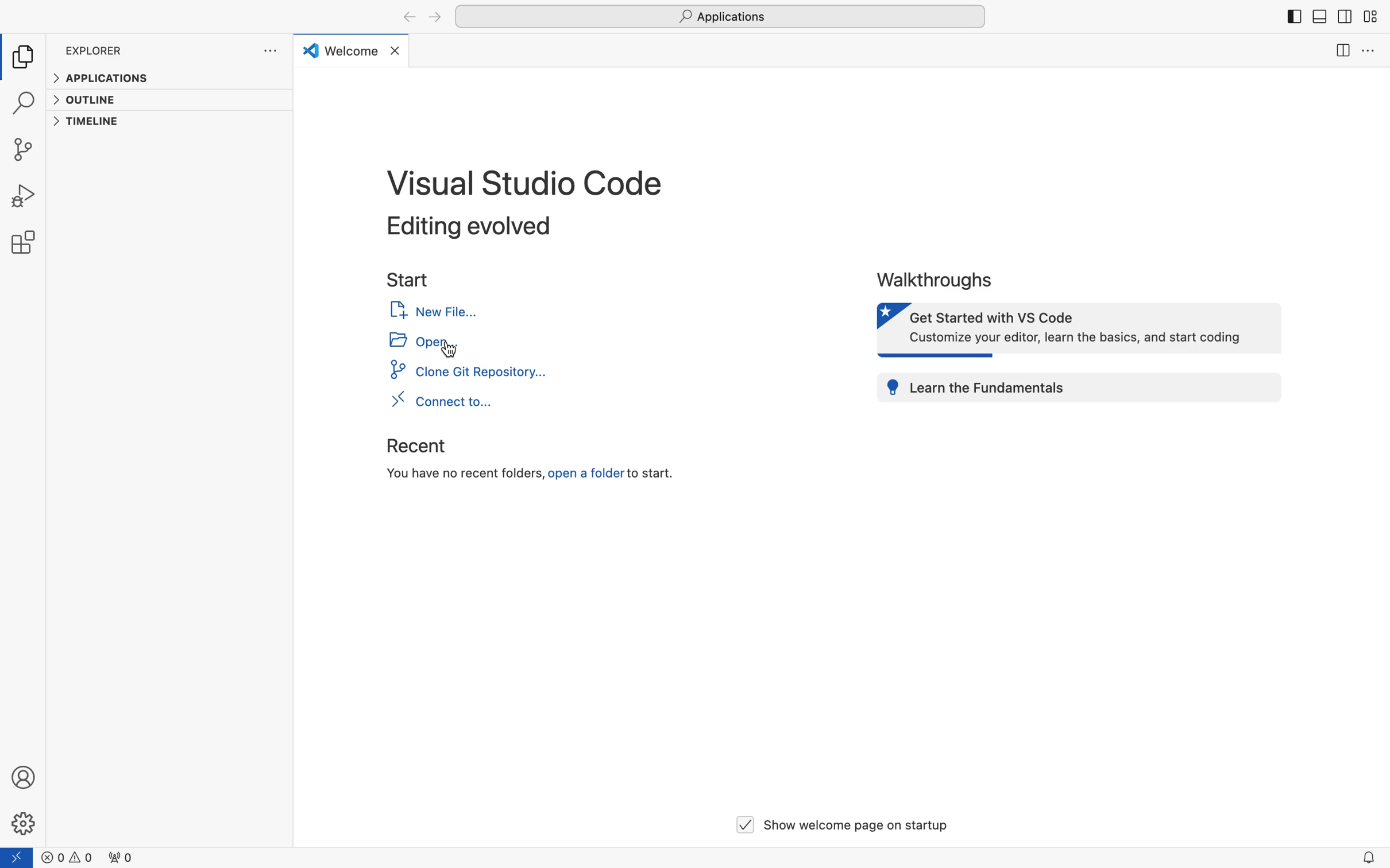 This screenshot has height=868, width=1390. What do you see at coordinates (26, 149) in the screenshot?
I see `source control` at bounding box center [26, 149].